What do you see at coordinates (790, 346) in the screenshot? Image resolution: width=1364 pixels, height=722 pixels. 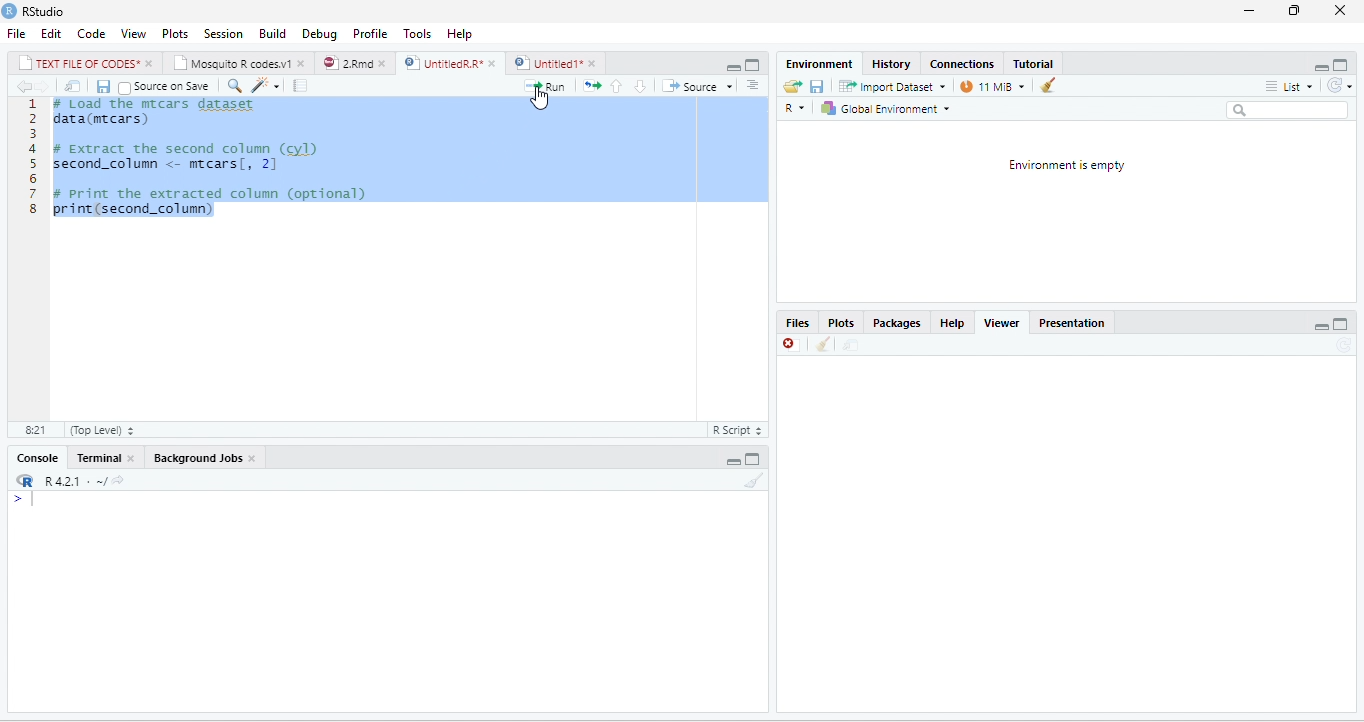 I see `close` at bounding box center [790, 346].